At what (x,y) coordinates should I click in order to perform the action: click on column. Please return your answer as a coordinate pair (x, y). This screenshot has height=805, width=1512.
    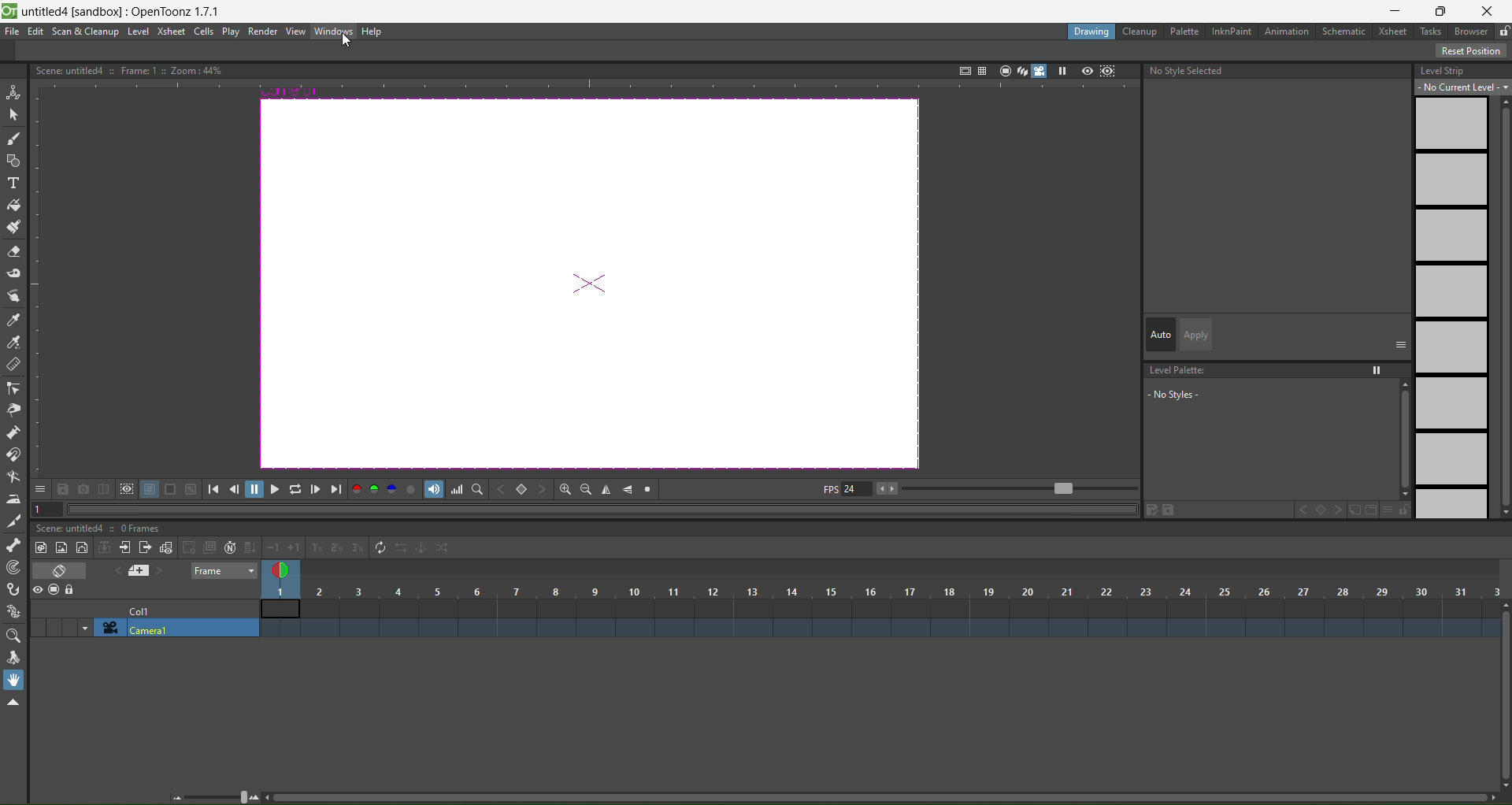
    Looking at the image, I should click on (882, 591).